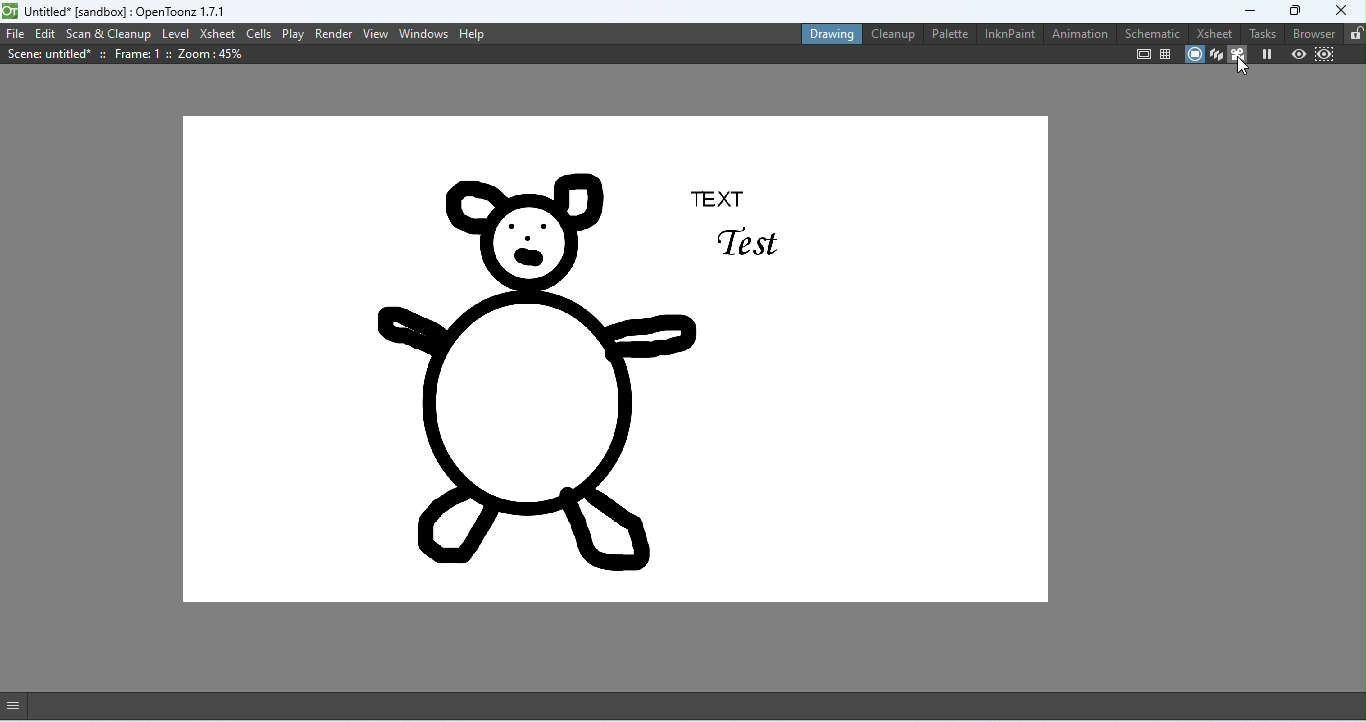 This screenshot has height=722, width=1366. Describe the element at coordinates (1236, 10) in the screenshot. I see `minimize` at that location.